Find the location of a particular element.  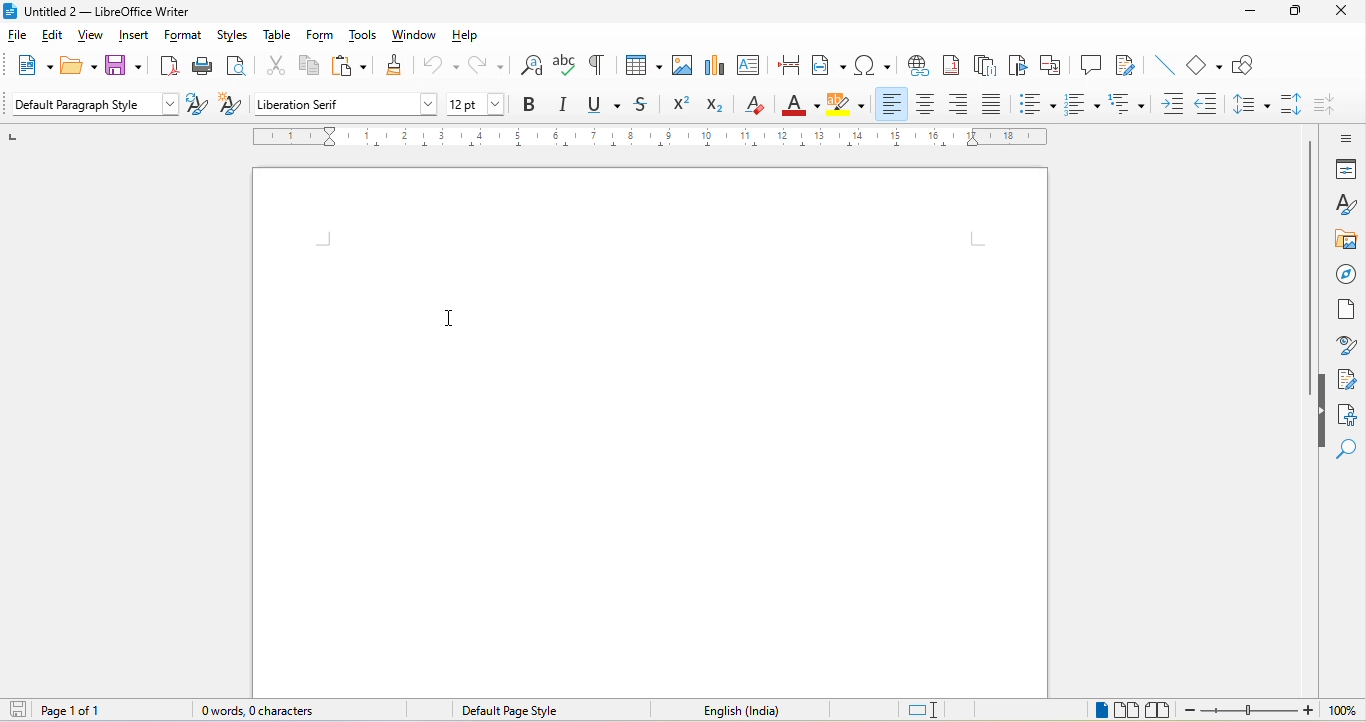

Untitled 2- LibreOffice writer is located at coordinates (106, 10).